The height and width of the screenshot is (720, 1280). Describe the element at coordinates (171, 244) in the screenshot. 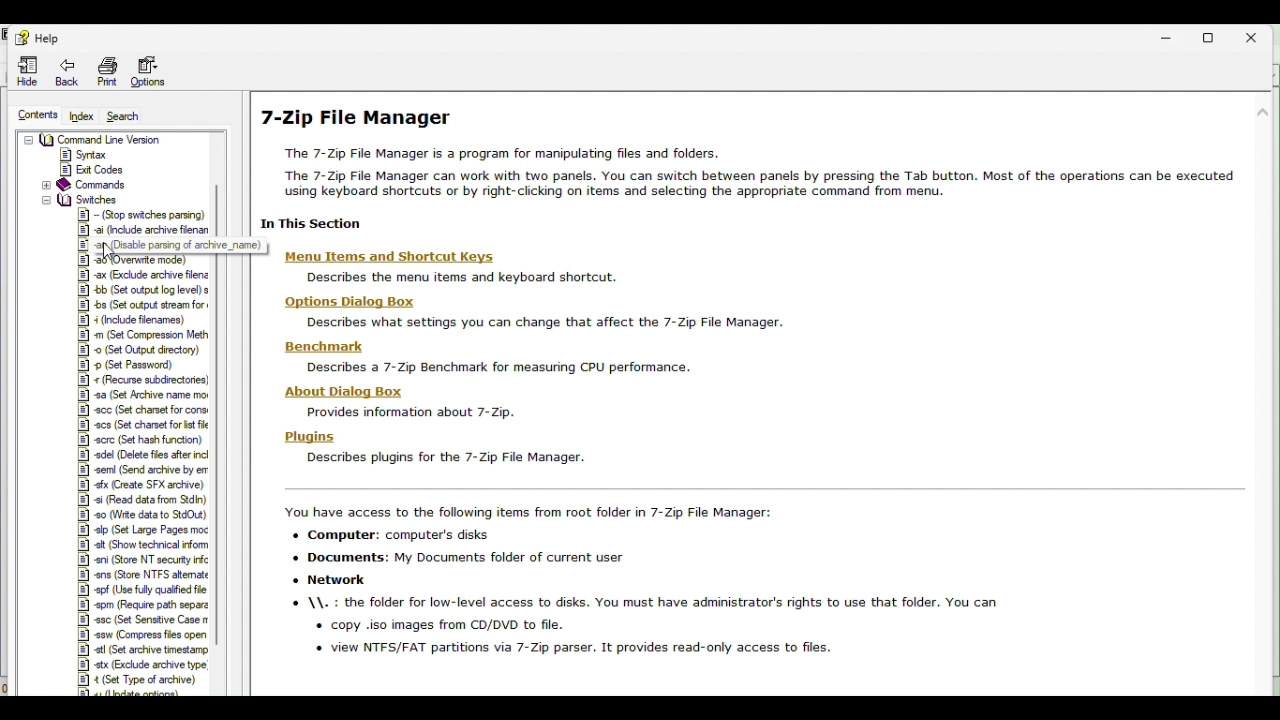

I see `|& -ap(Disable parsing of archive_name) |` at that location.